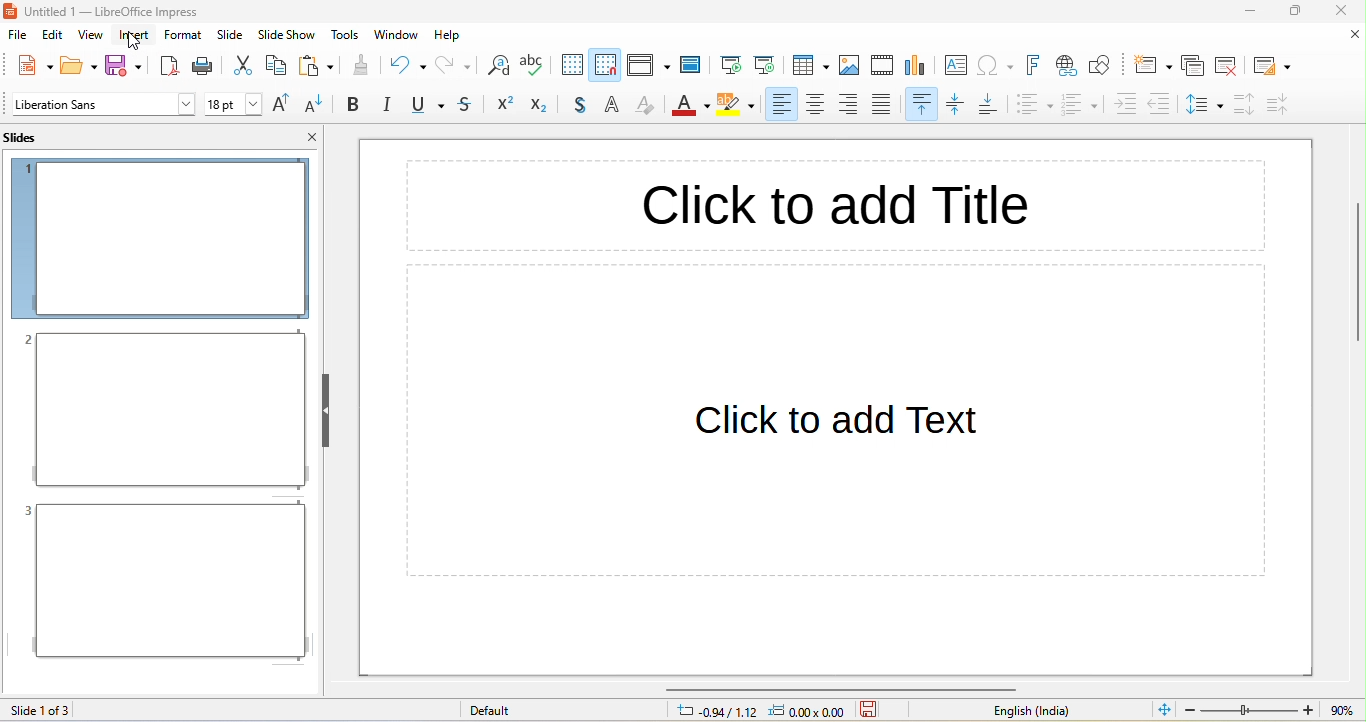 The width and height of the screenshot is (1366, 722). Describe the element at coordinates (183, 34) in the screenshot. I see `format` at that location.